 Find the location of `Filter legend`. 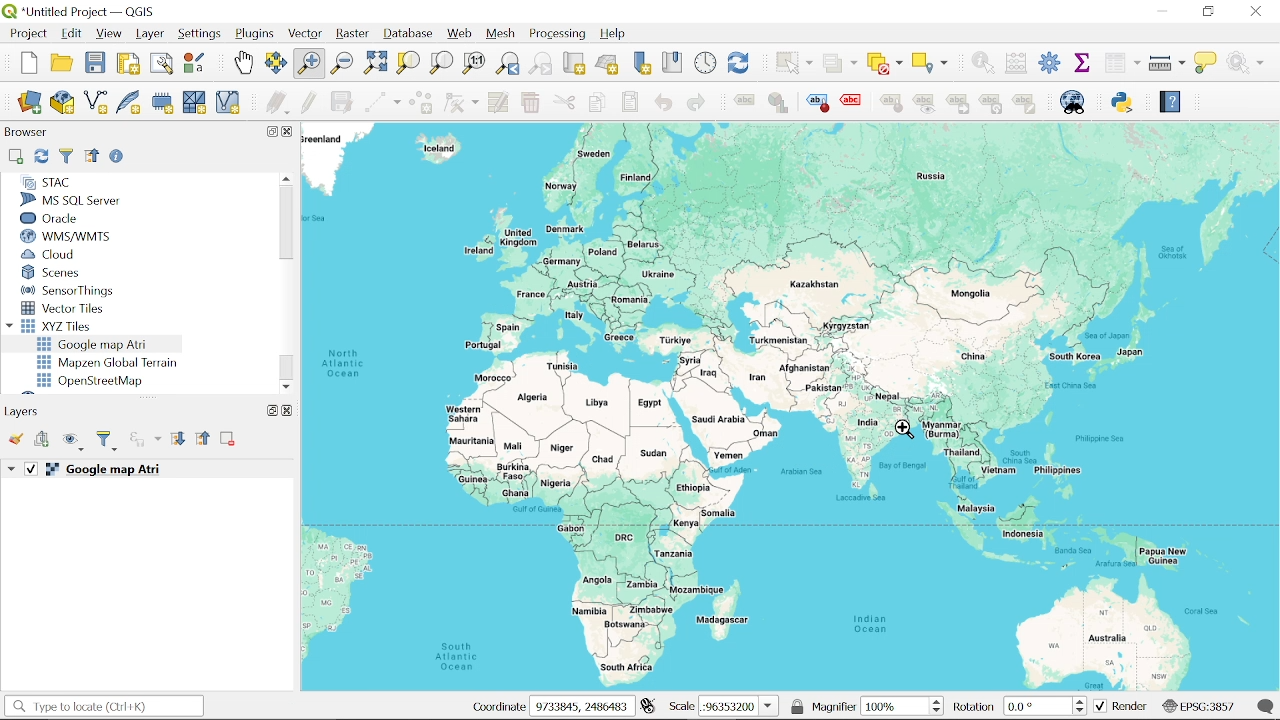

Filter legend is located at coordinates (108, 441).